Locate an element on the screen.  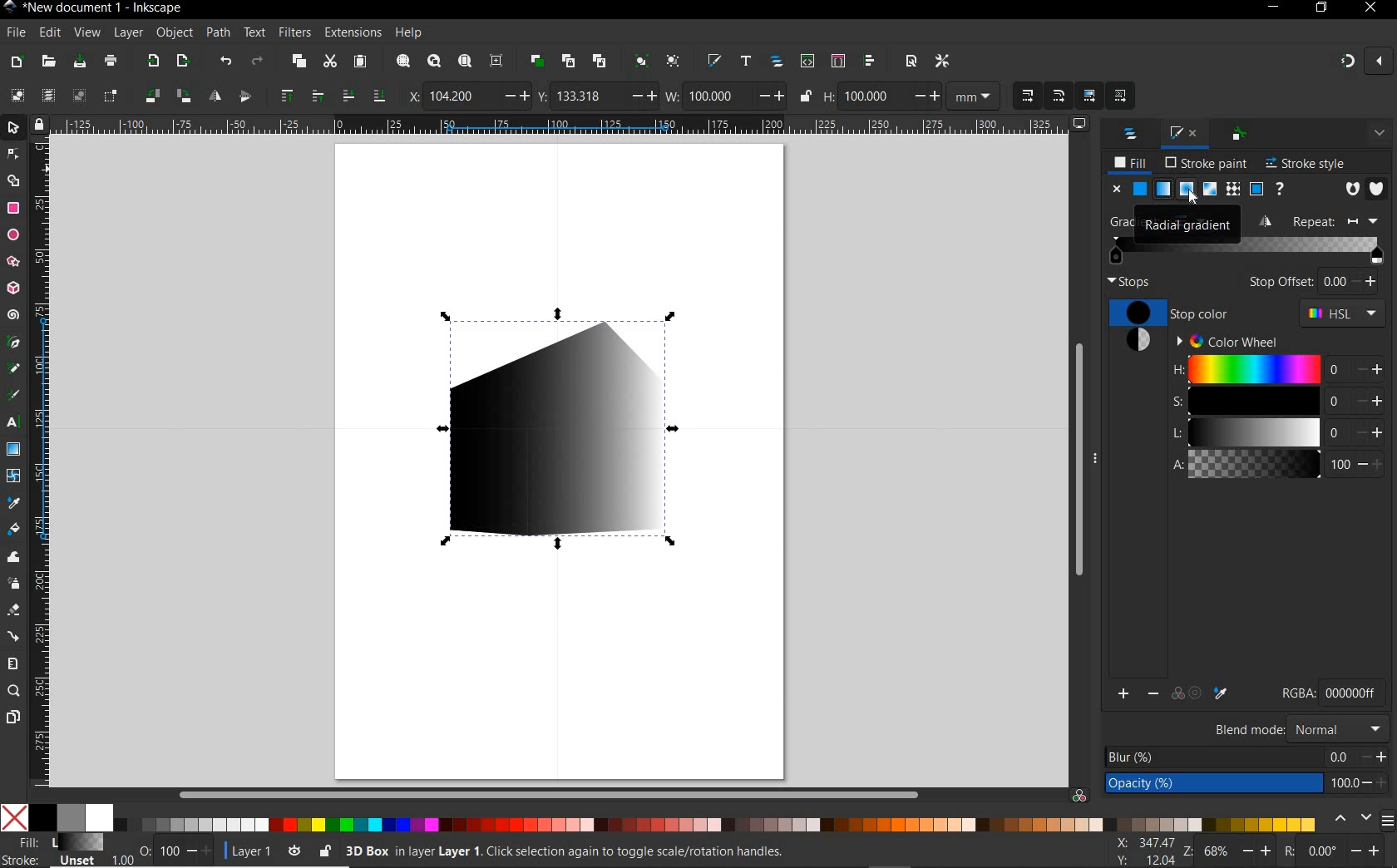
FILL AND STROKE is located at coordinates (1172, 131).